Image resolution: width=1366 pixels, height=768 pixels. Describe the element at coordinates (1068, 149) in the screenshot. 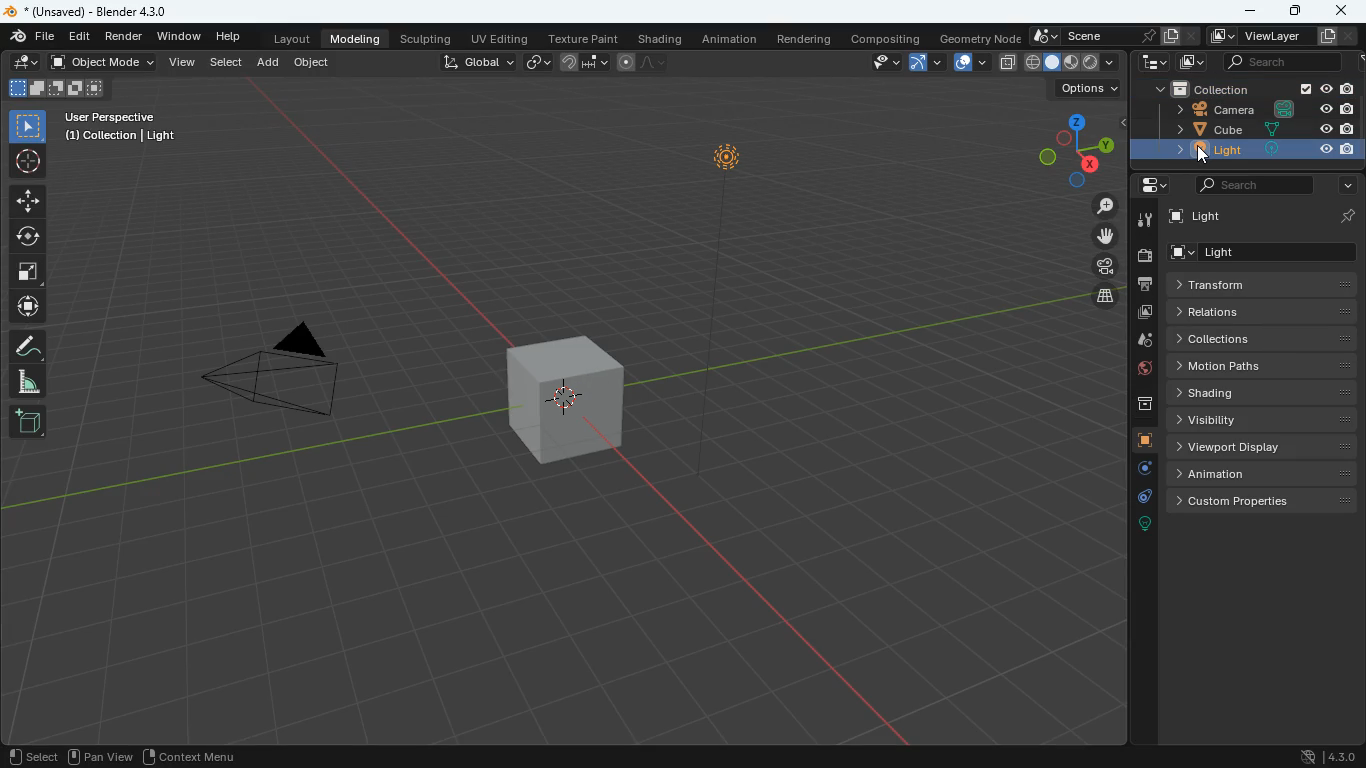

I see `dimensions` at that location.